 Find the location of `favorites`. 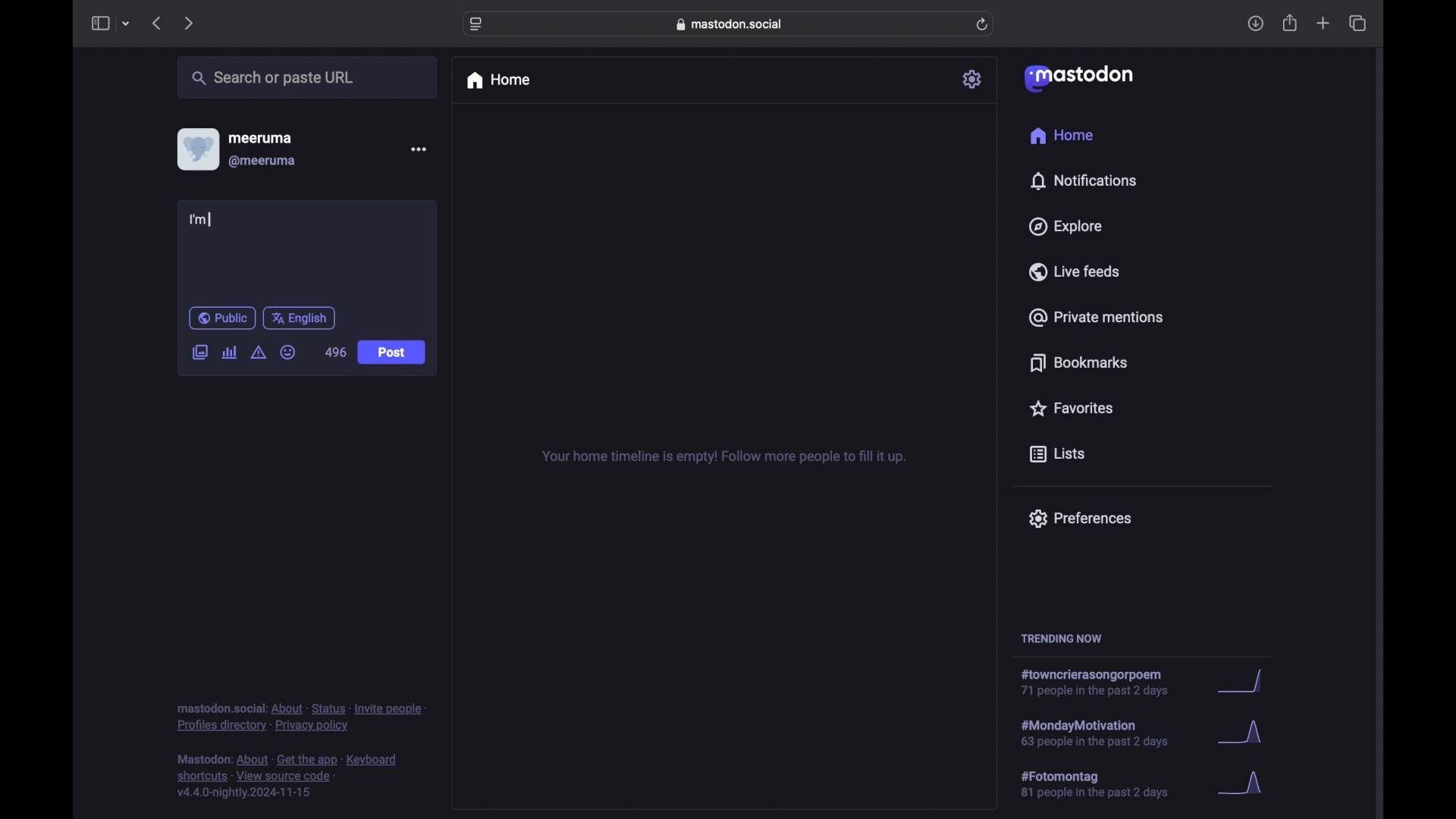

favorites is located at coordinates (1071, 408).